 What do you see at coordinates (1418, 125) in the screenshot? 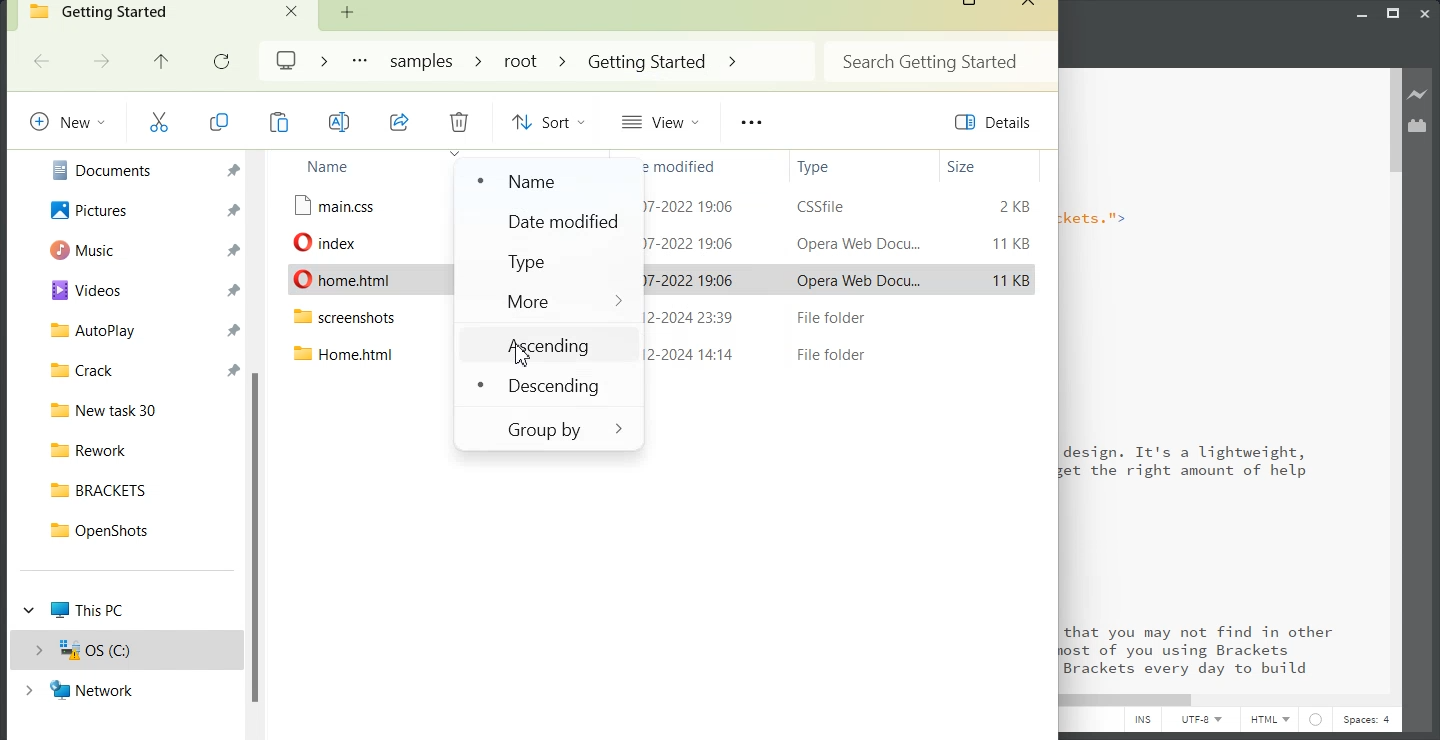
I see `Extension Manager` at bounding box center [1418, 125].